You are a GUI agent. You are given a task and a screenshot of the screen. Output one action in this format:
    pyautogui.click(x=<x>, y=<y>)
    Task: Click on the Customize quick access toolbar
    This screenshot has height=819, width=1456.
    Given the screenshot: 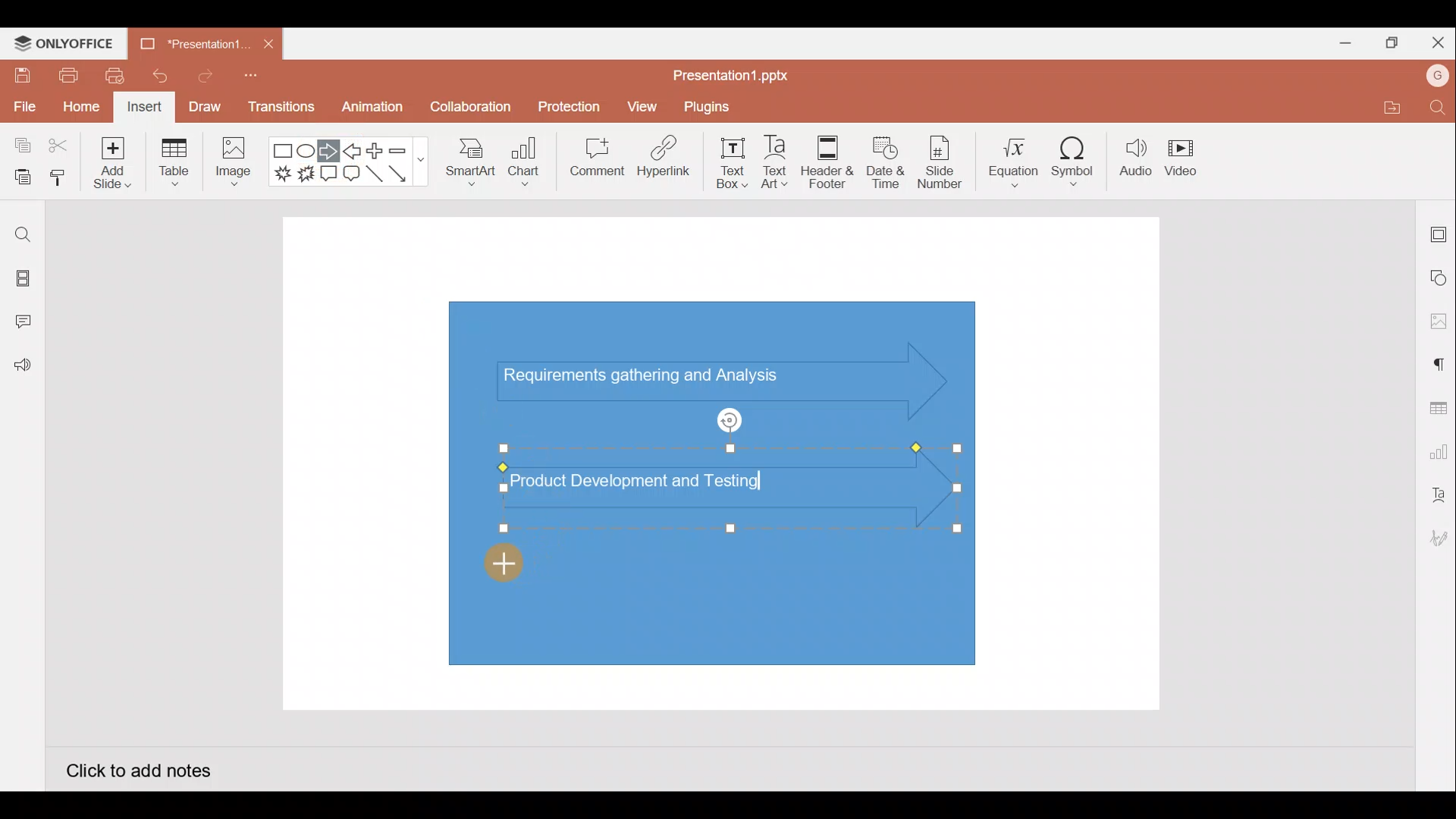 What is the action you would take?
    pyautogui.click(x=256, y=80)
    